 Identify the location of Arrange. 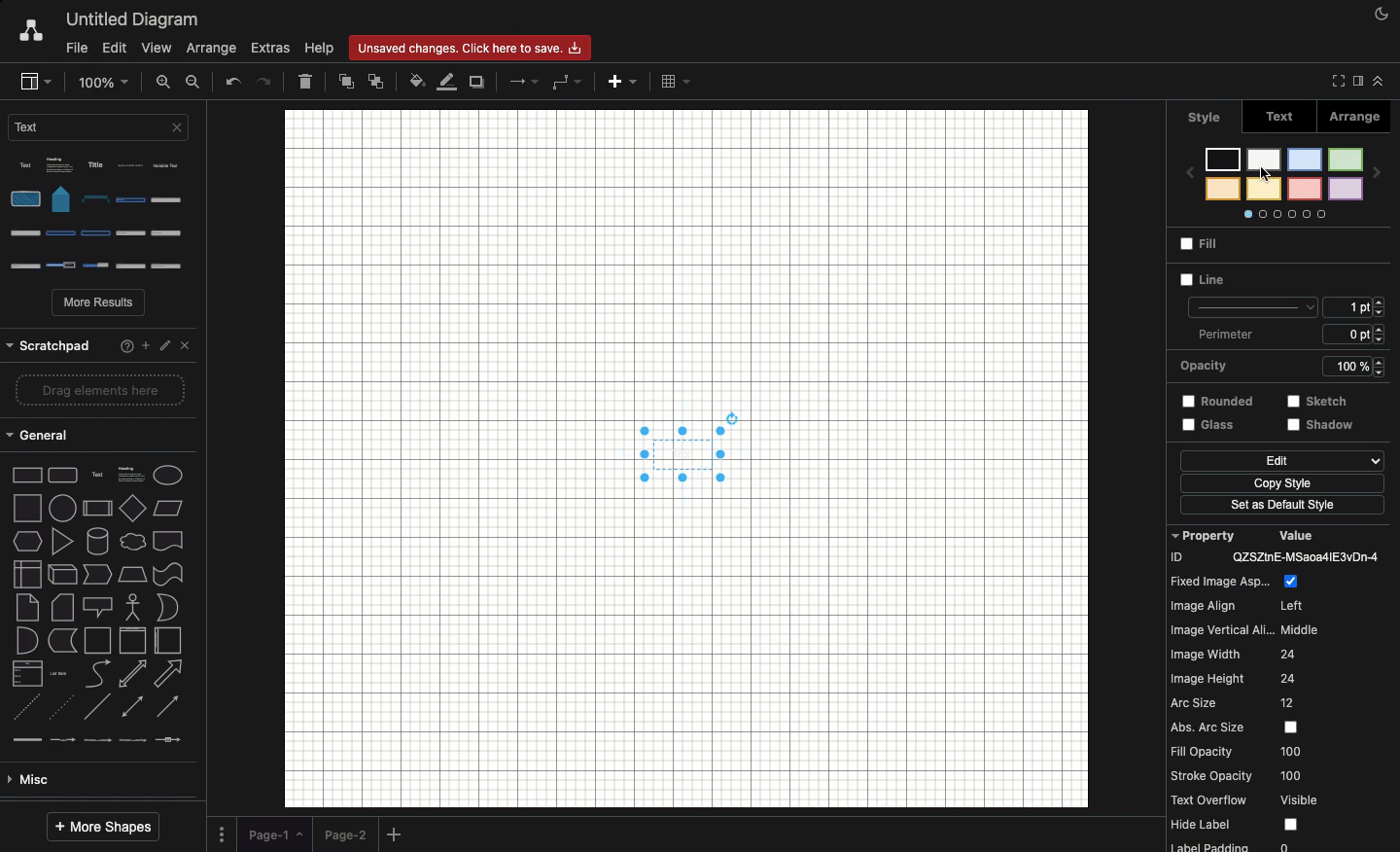
(214, 47).